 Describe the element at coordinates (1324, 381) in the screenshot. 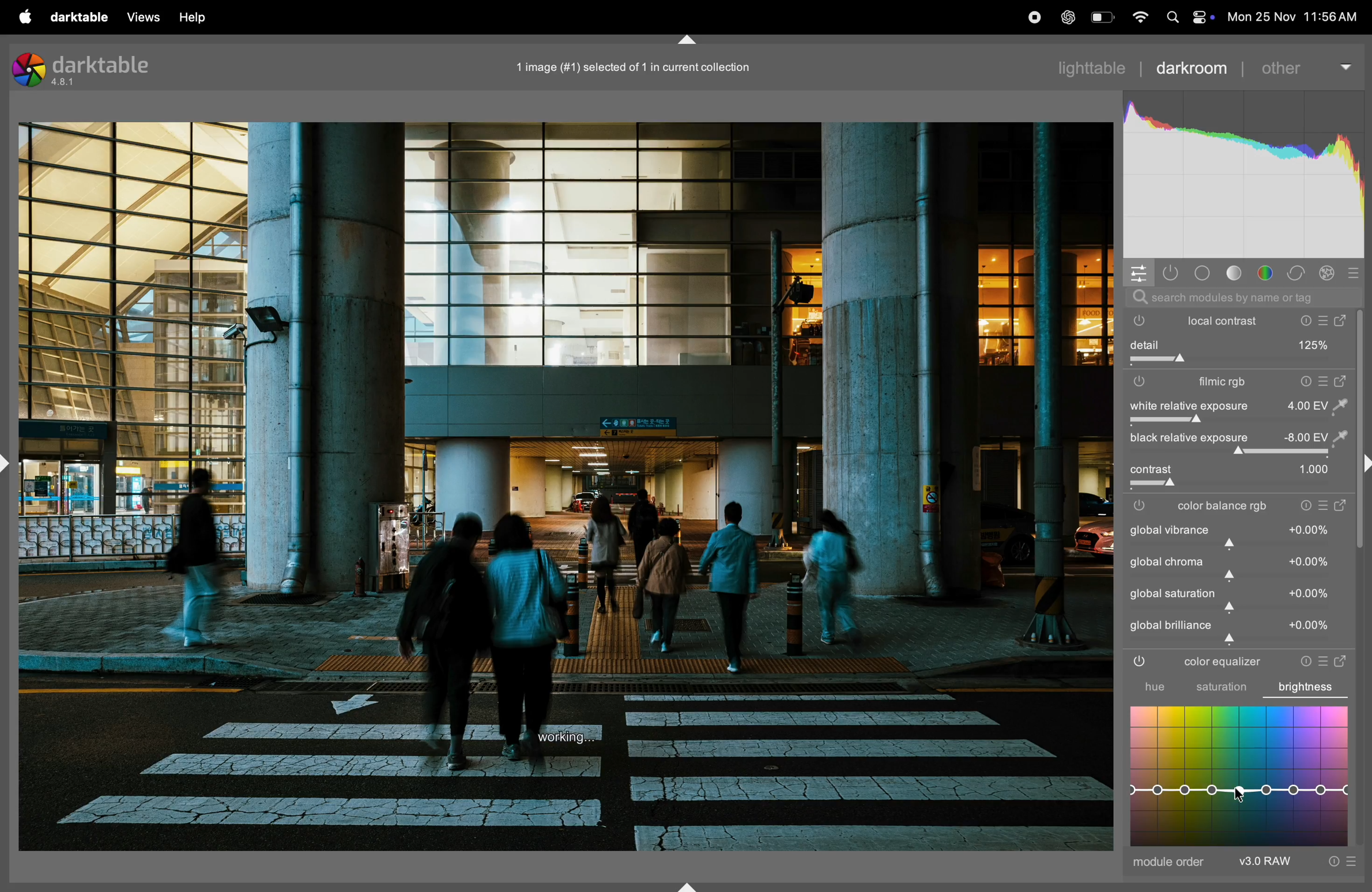

I see `presets` at that location.